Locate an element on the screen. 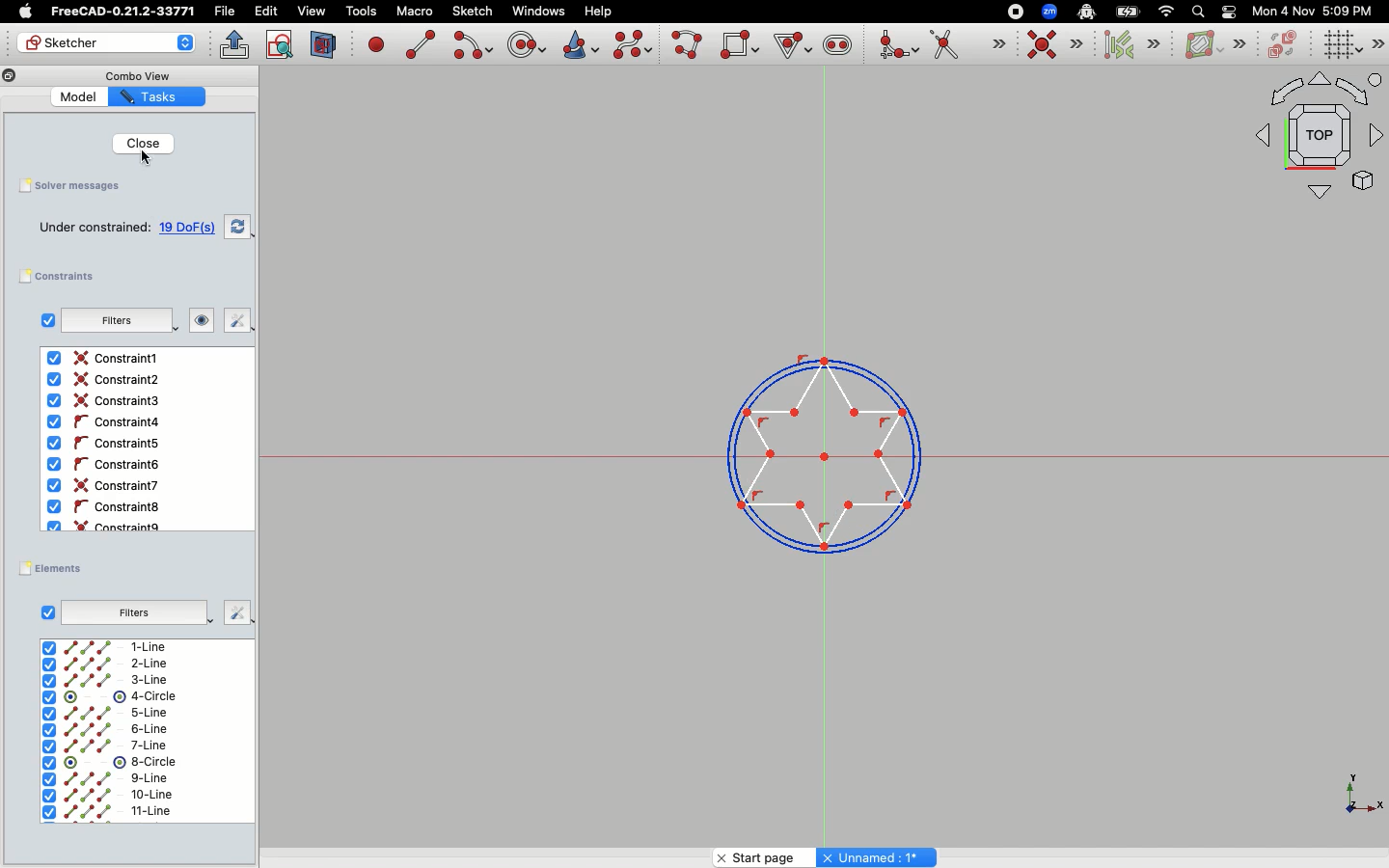 The image size is (1389, 868). Create slot is located at coordinates (836, 47).